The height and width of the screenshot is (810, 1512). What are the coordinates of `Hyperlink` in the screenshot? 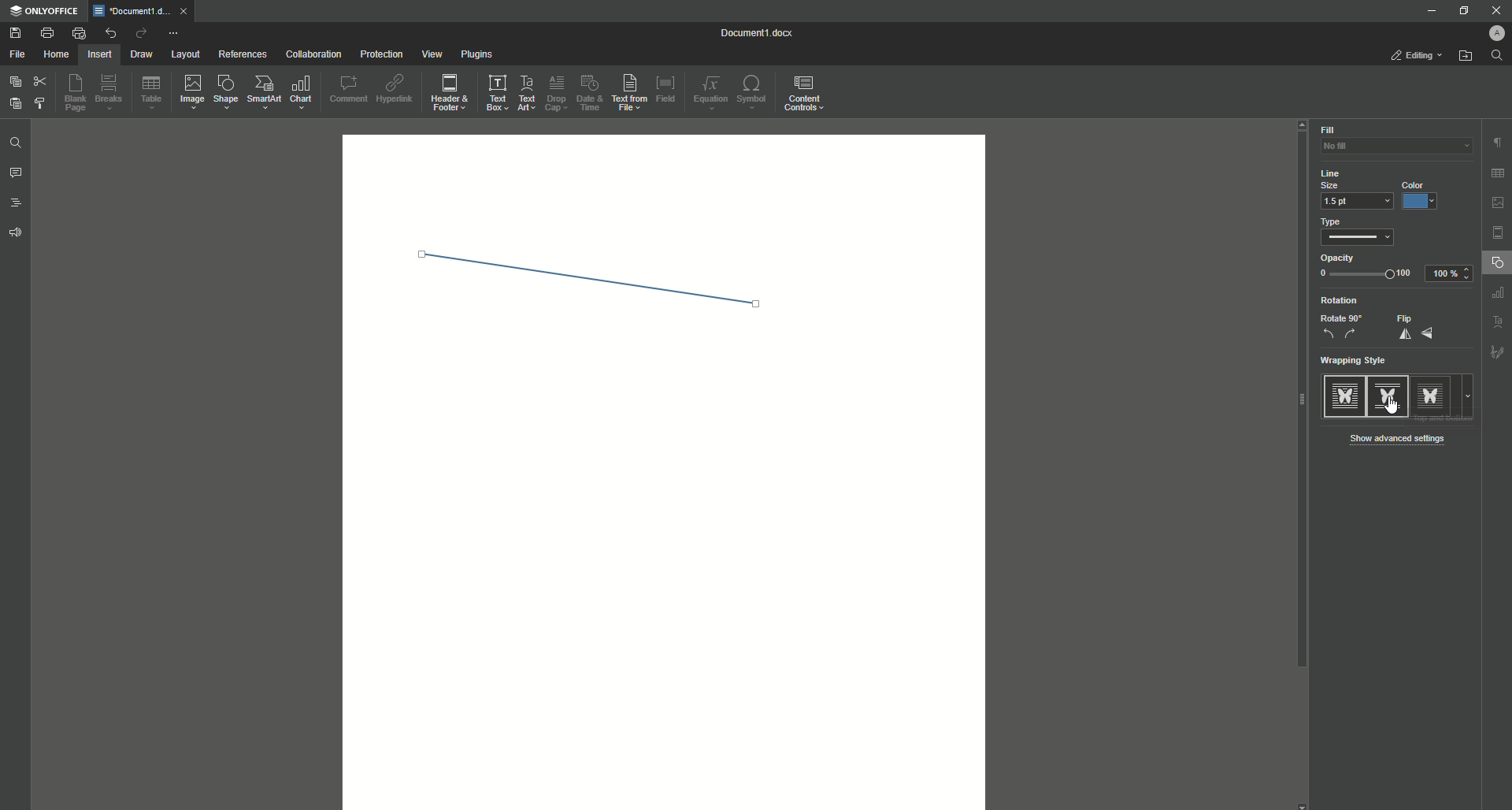 It's located at (396, 90).